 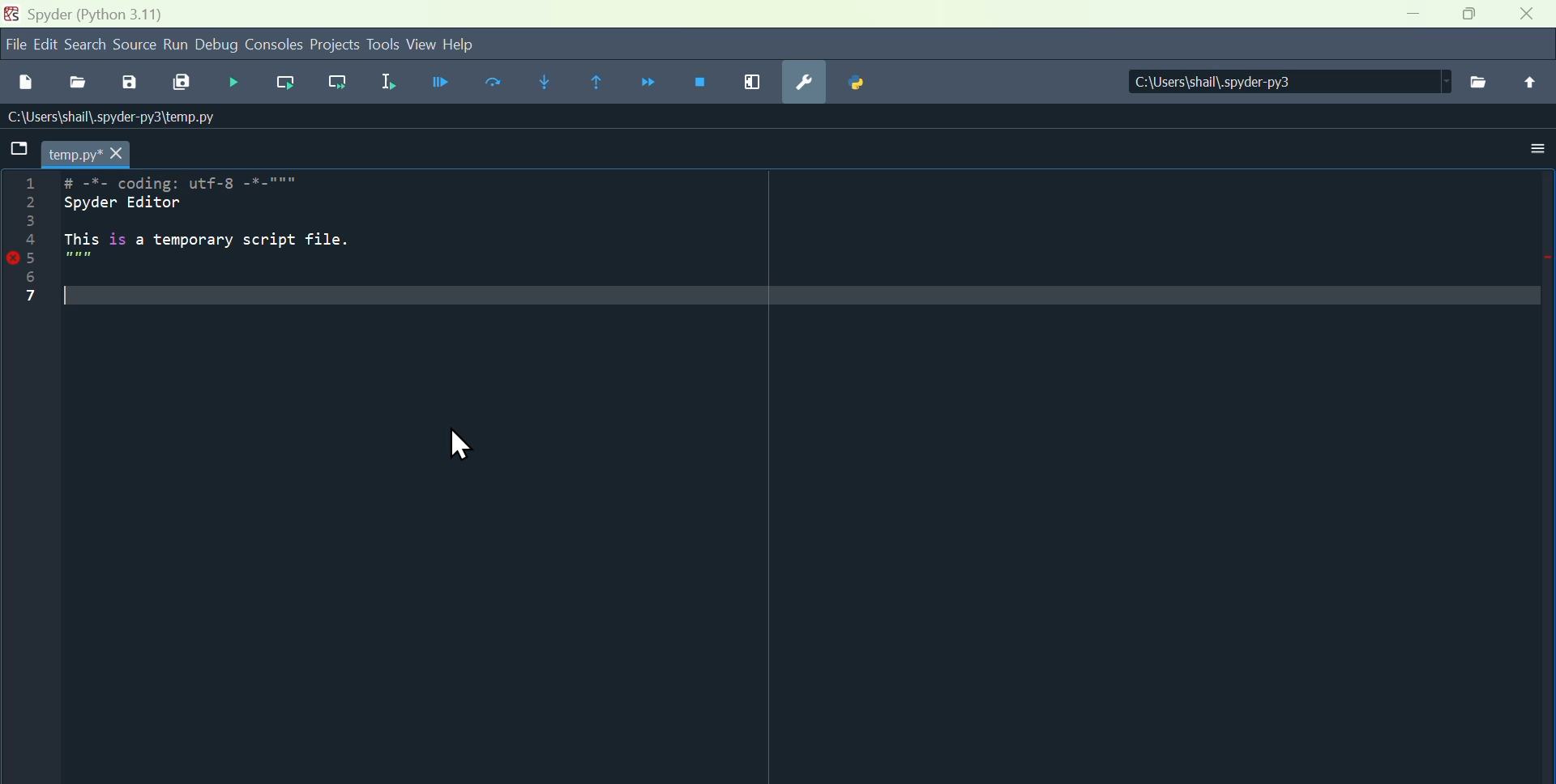 I want to click on Source, so click(x=137, y=47).